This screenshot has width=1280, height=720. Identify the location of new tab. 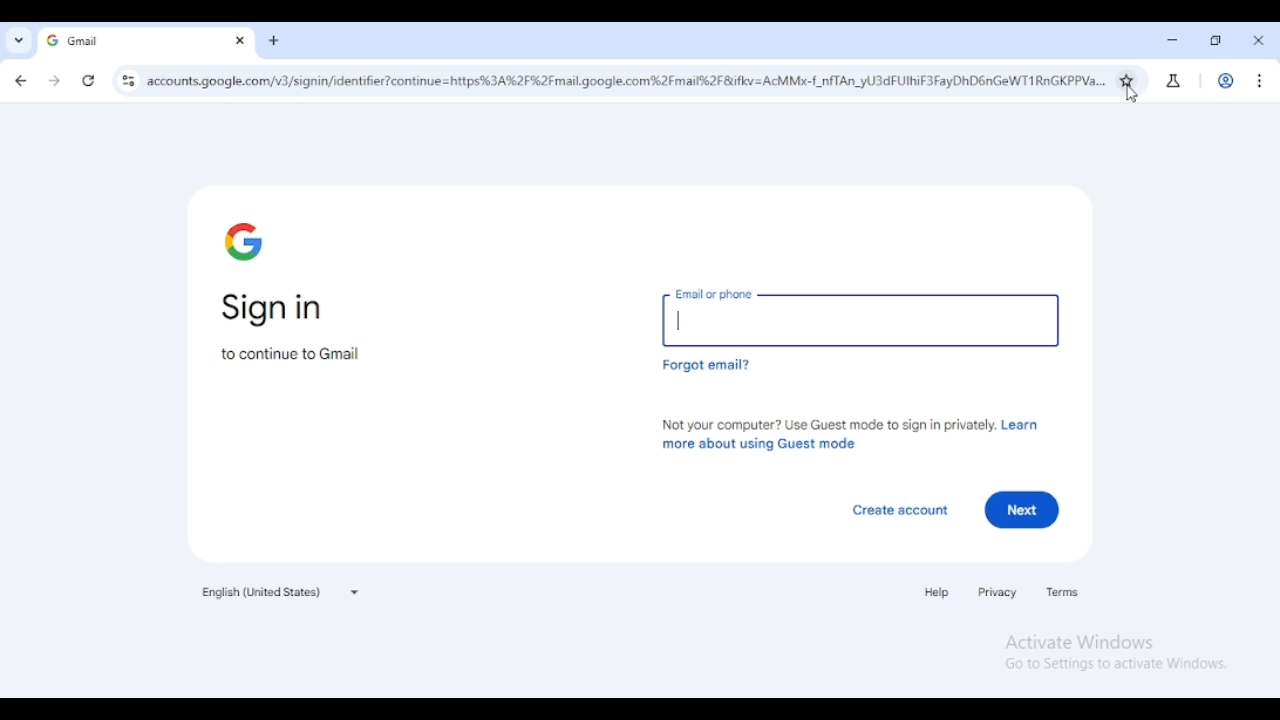
(274, 41).